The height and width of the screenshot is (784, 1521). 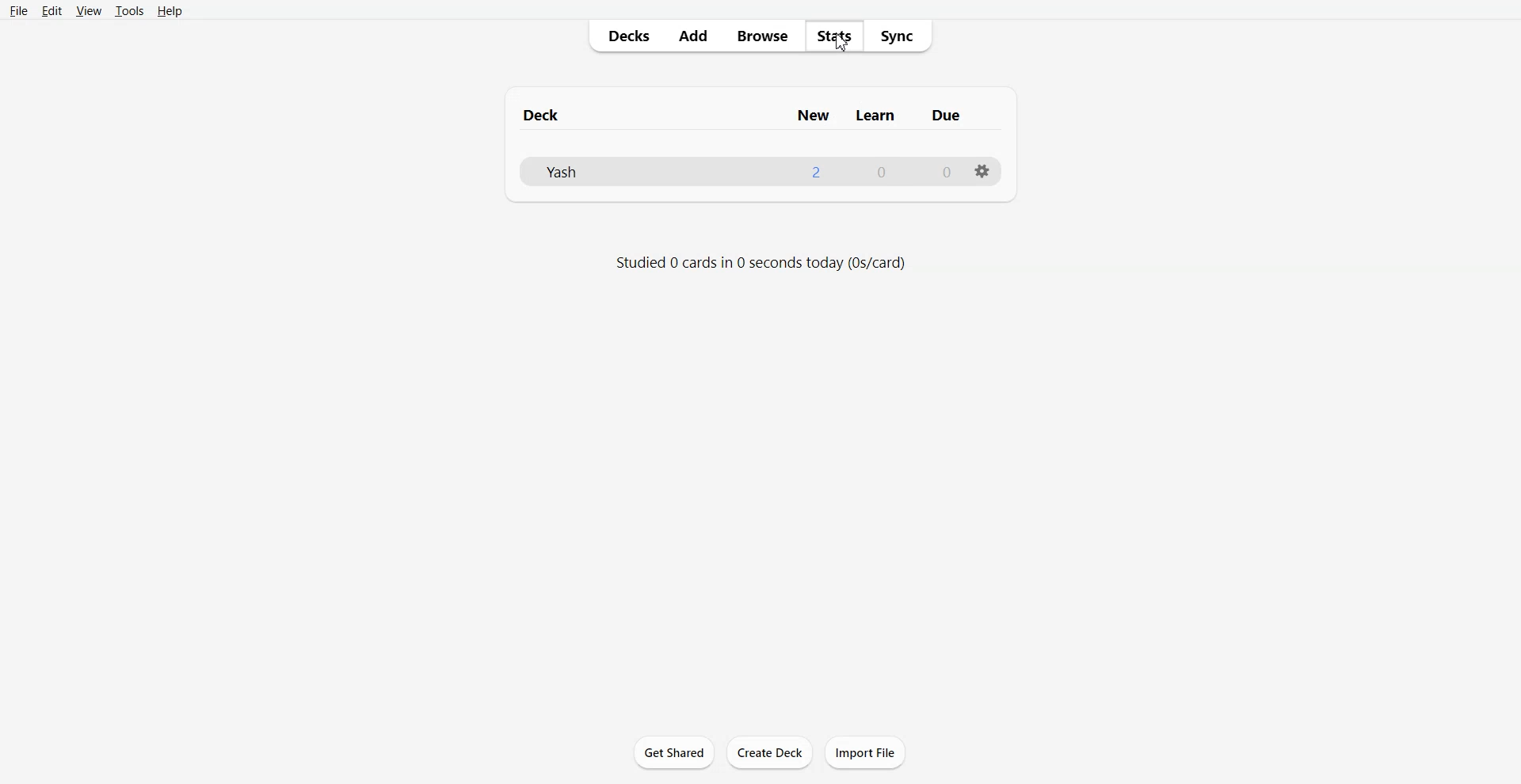 I want to click on Studied 0 cards in 0 seconds today (0s/card), so click(x=776, y=259).